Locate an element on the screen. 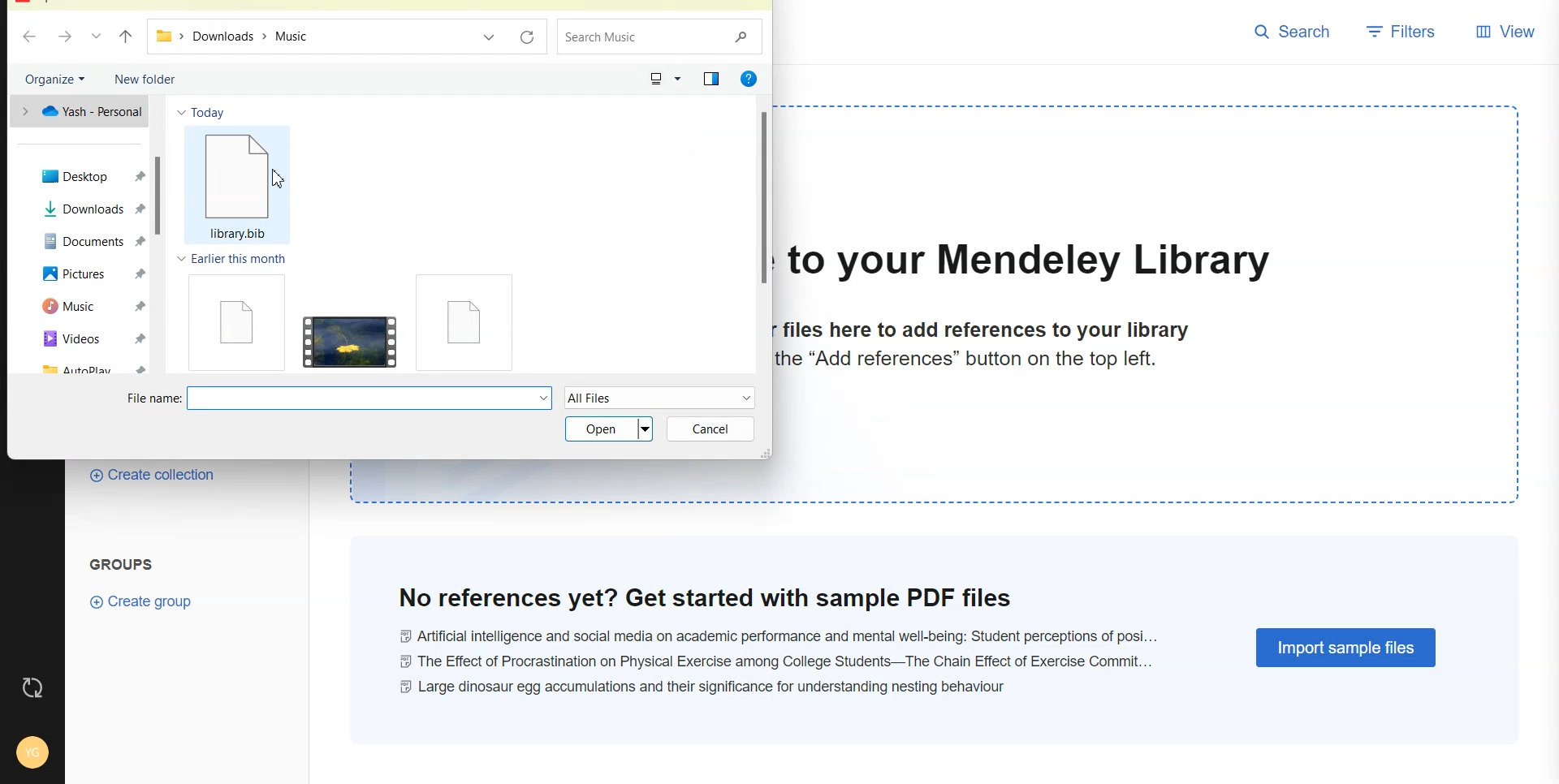 The image size is (1559, 784). Documents is located at coordinates (79, 238).